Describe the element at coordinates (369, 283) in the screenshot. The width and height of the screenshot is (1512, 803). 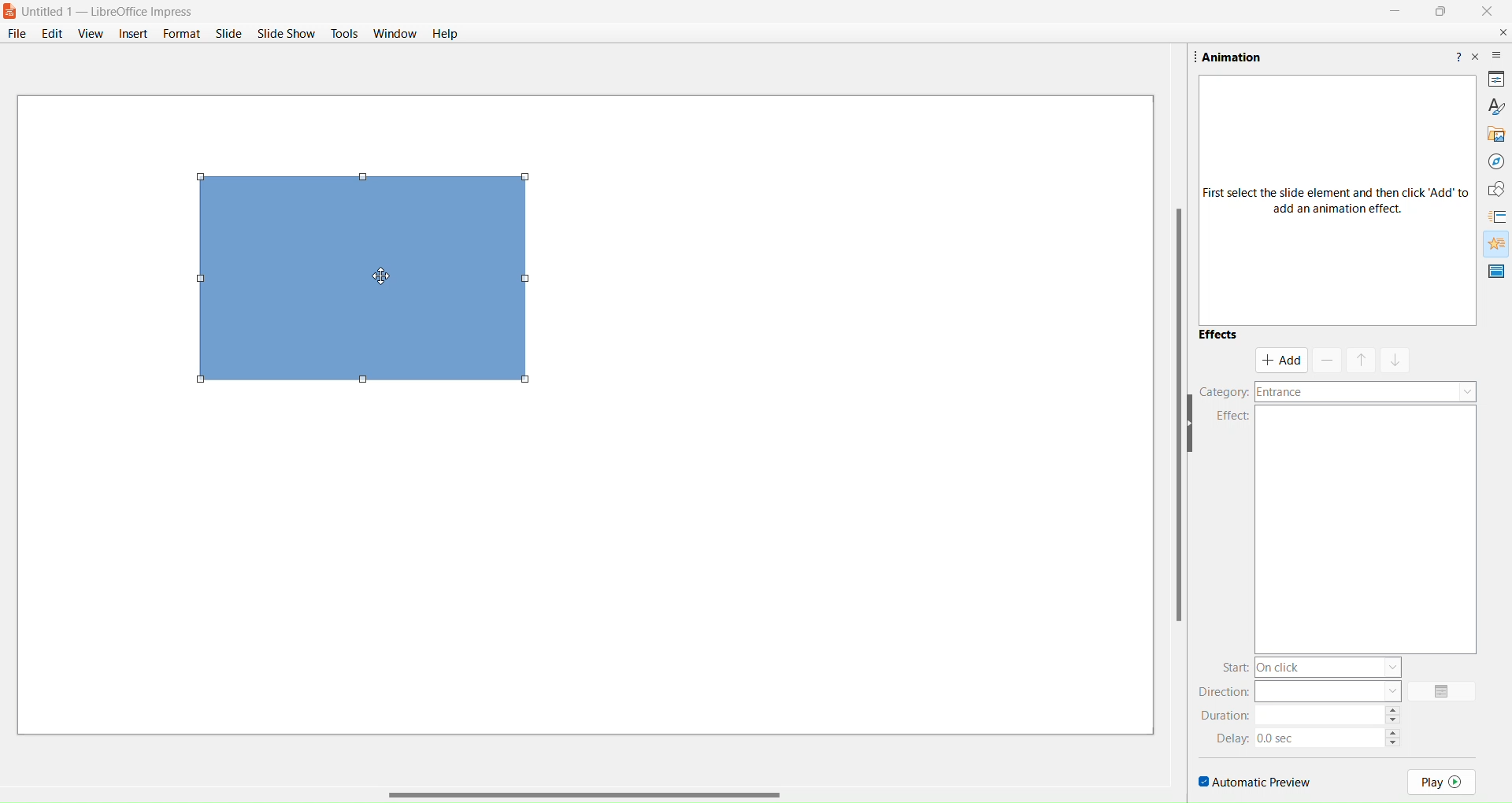
I see `object` at that location.